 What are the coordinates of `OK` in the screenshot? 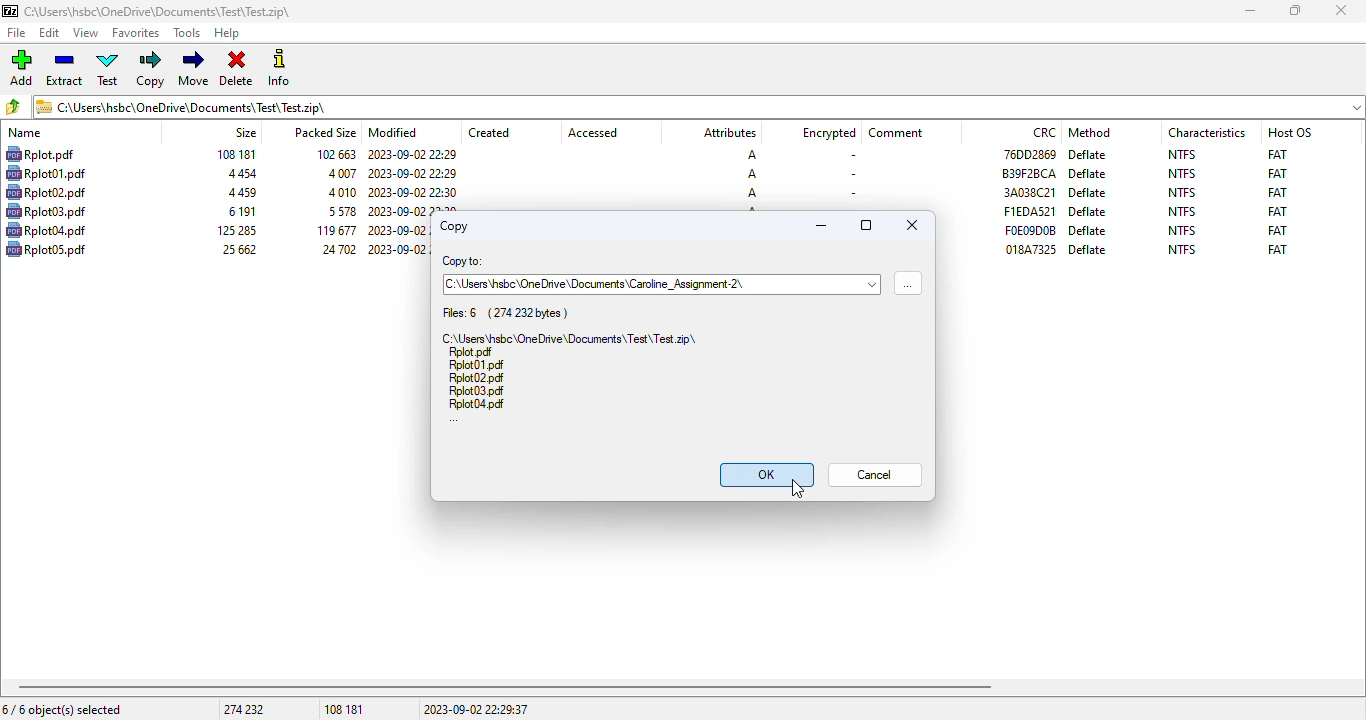 It's located at (766, 475).